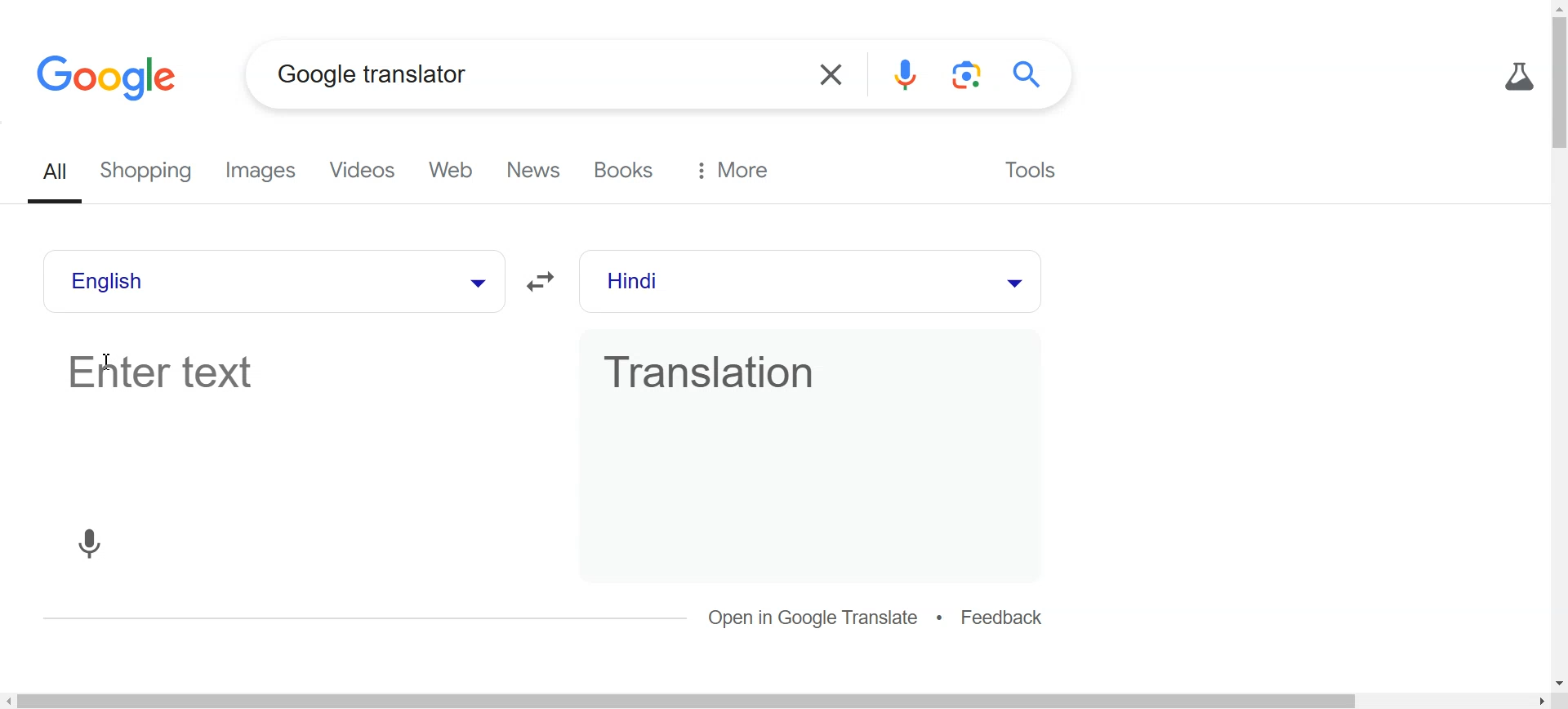  I want to click on Feedback, so click(1003, 619).